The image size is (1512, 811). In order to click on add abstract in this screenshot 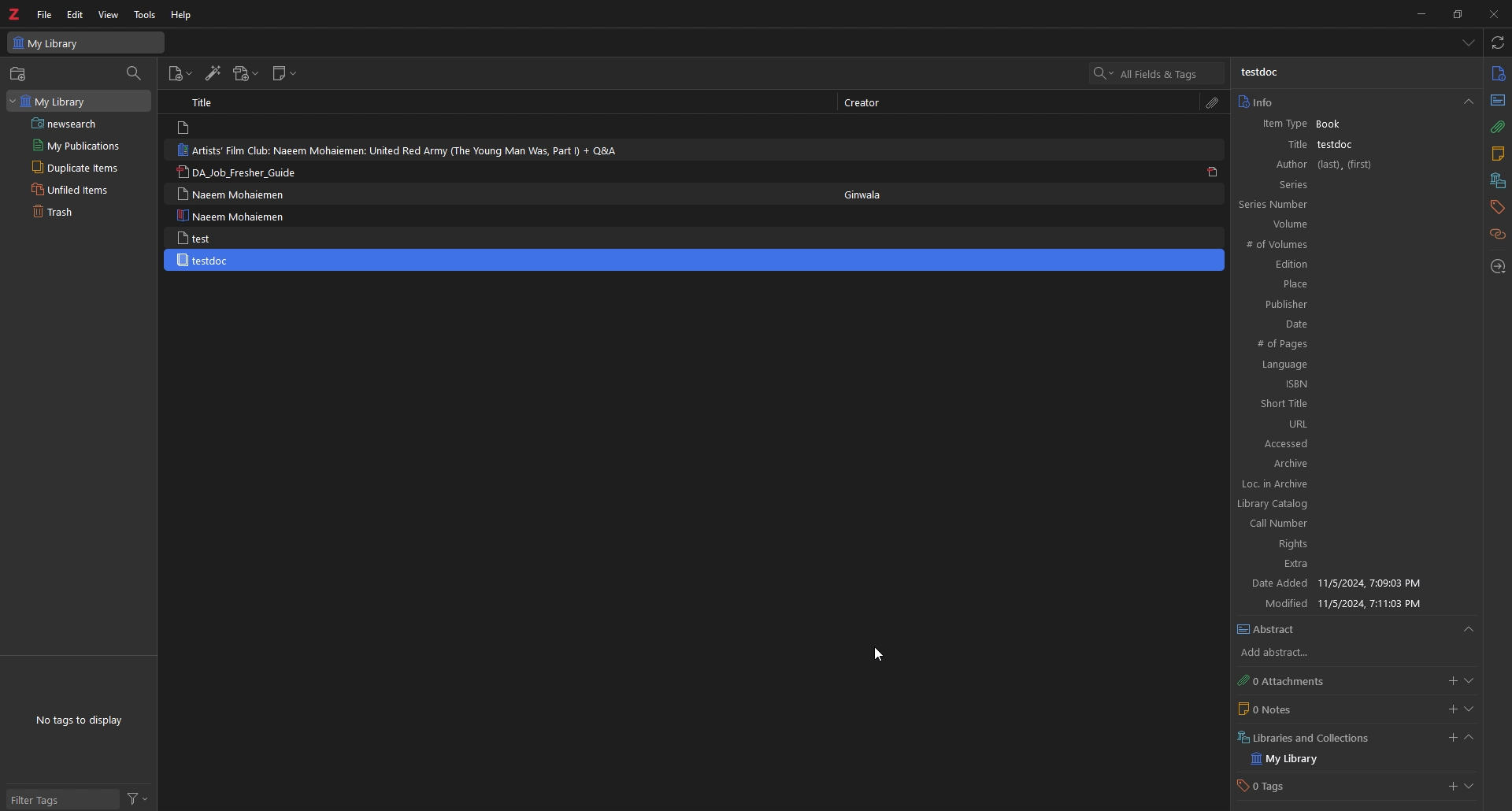, I will do `click(1288, 654)`.